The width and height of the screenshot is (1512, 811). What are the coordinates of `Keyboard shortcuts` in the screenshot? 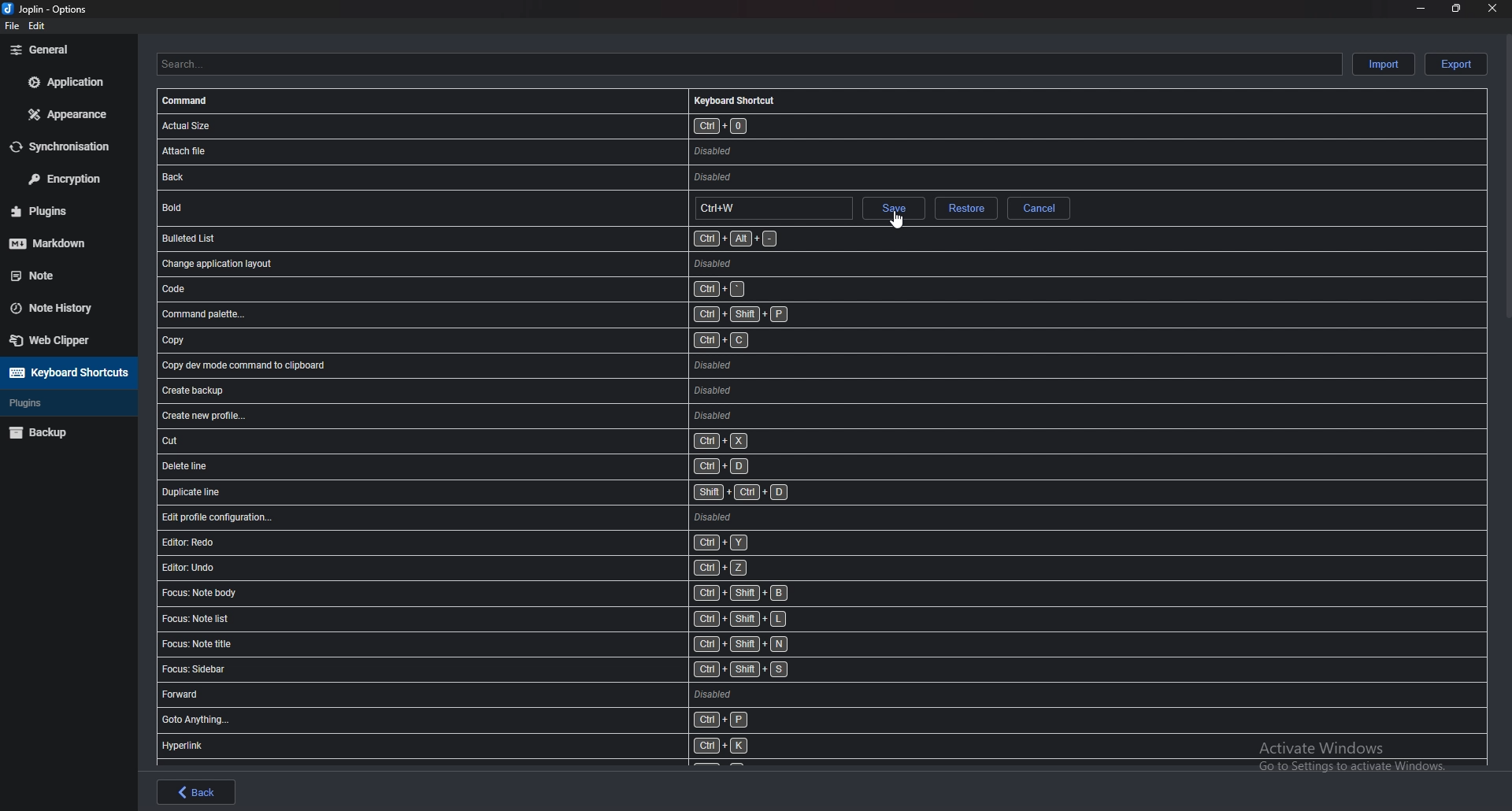 It's located at (735, 98).